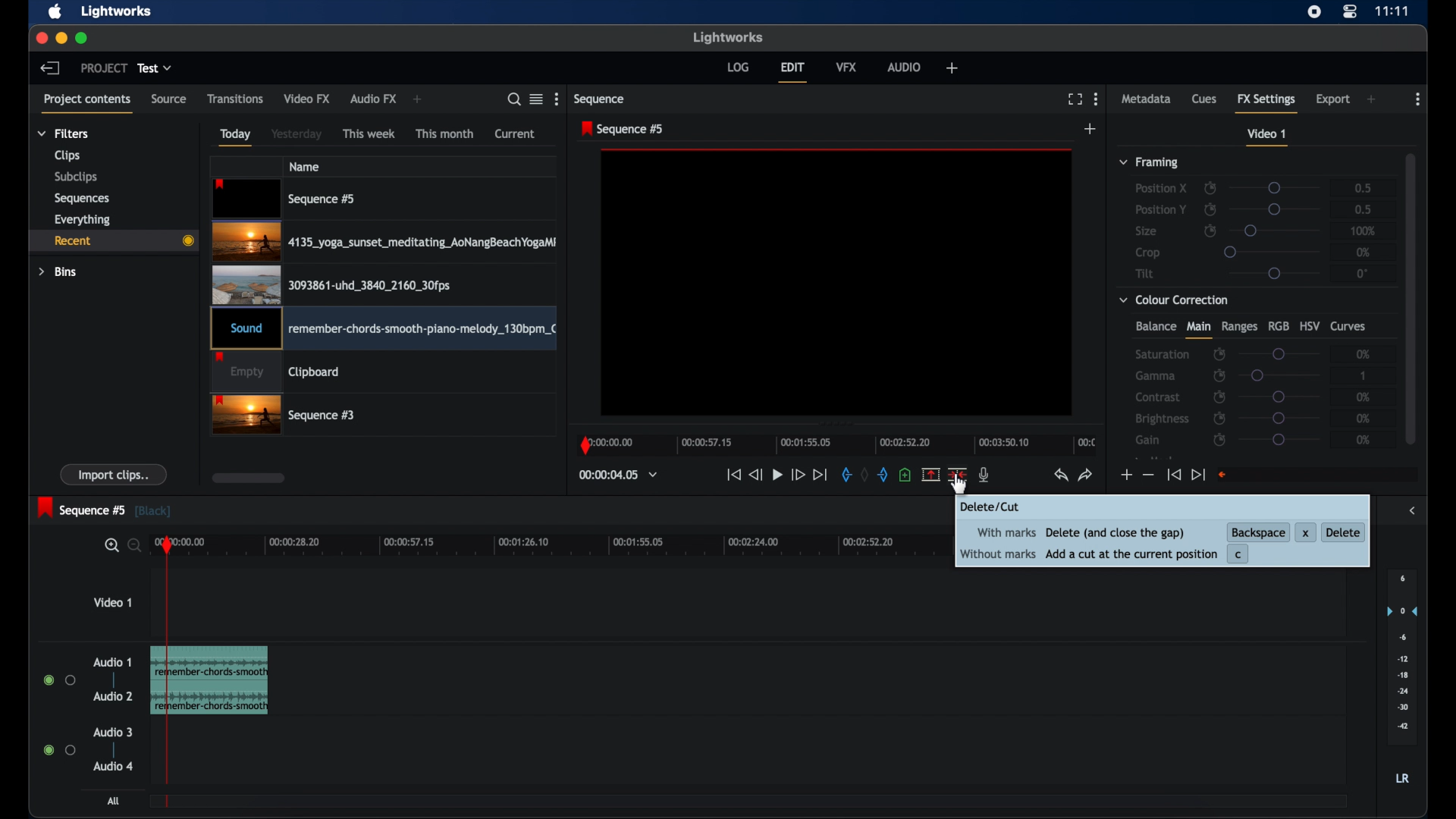 This screenshot has width=1456, height=819. What do you see at coordinates (1410, 297) in the screenshot?
I see `scroll bar` at bounding box center [1410, 297].